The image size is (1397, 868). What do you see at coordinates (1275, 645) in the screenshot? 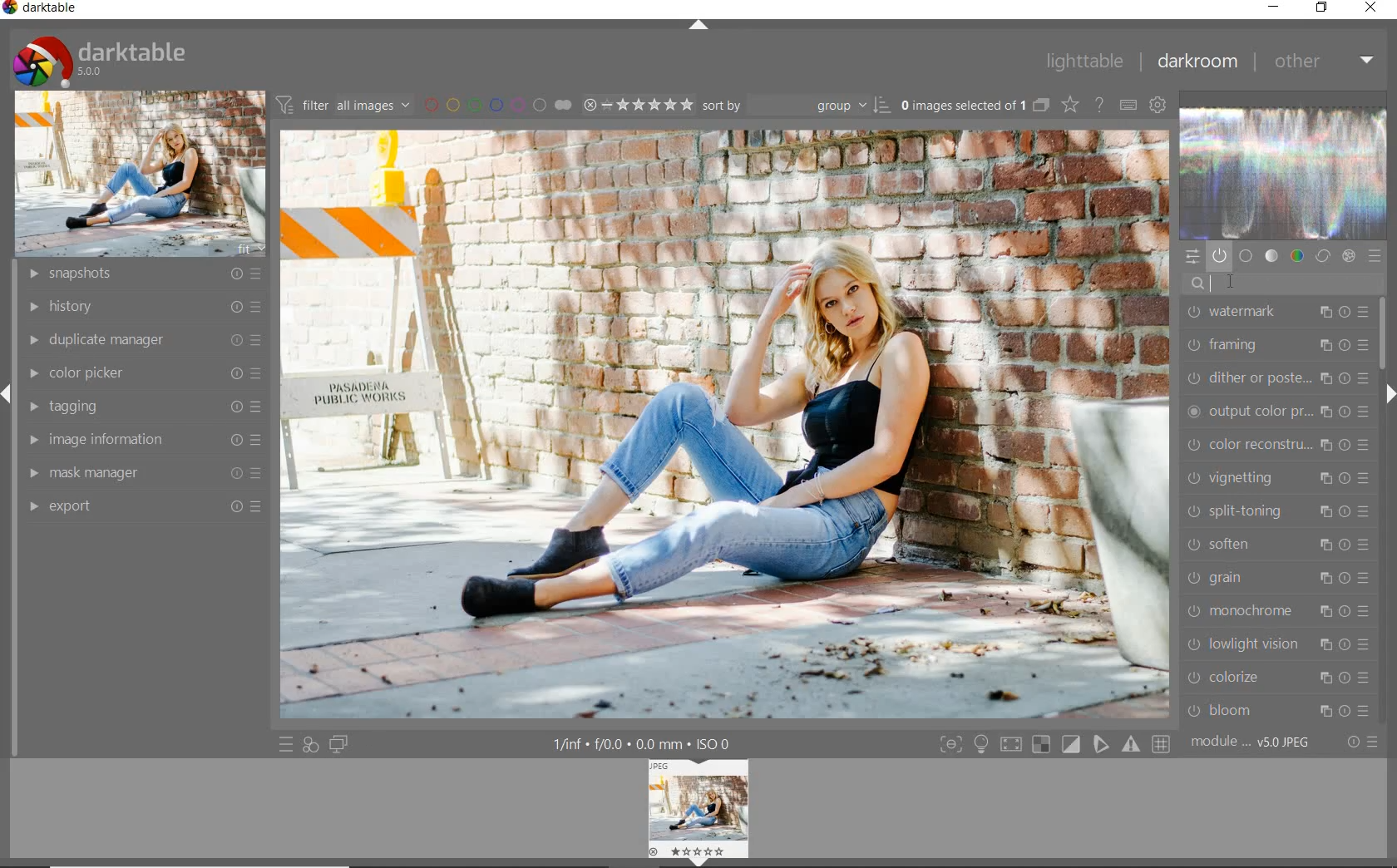
I see `lowlight vision` at bounding box center [1275, 645].